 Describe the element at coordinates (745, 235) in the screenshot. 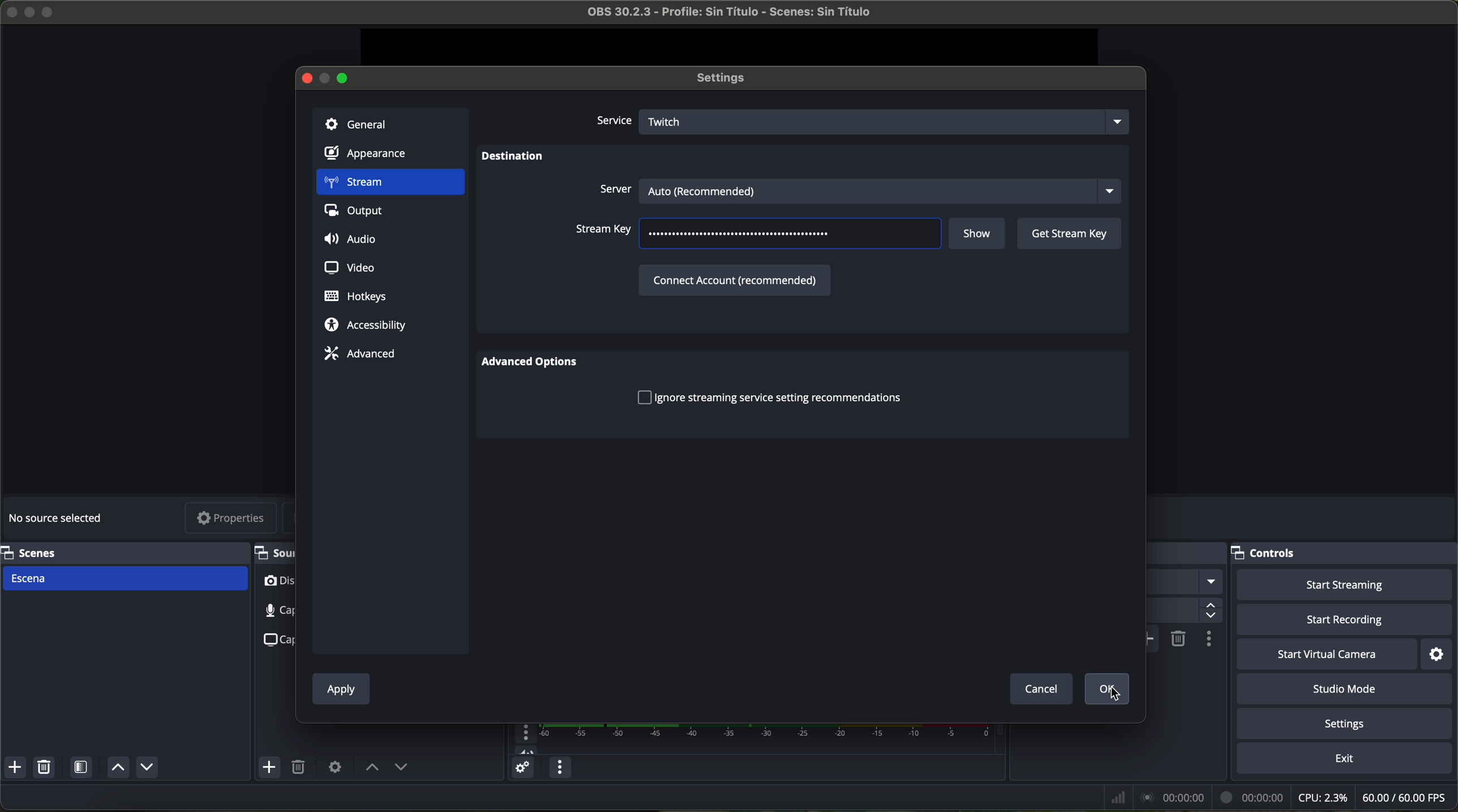

I see `password` at that location.